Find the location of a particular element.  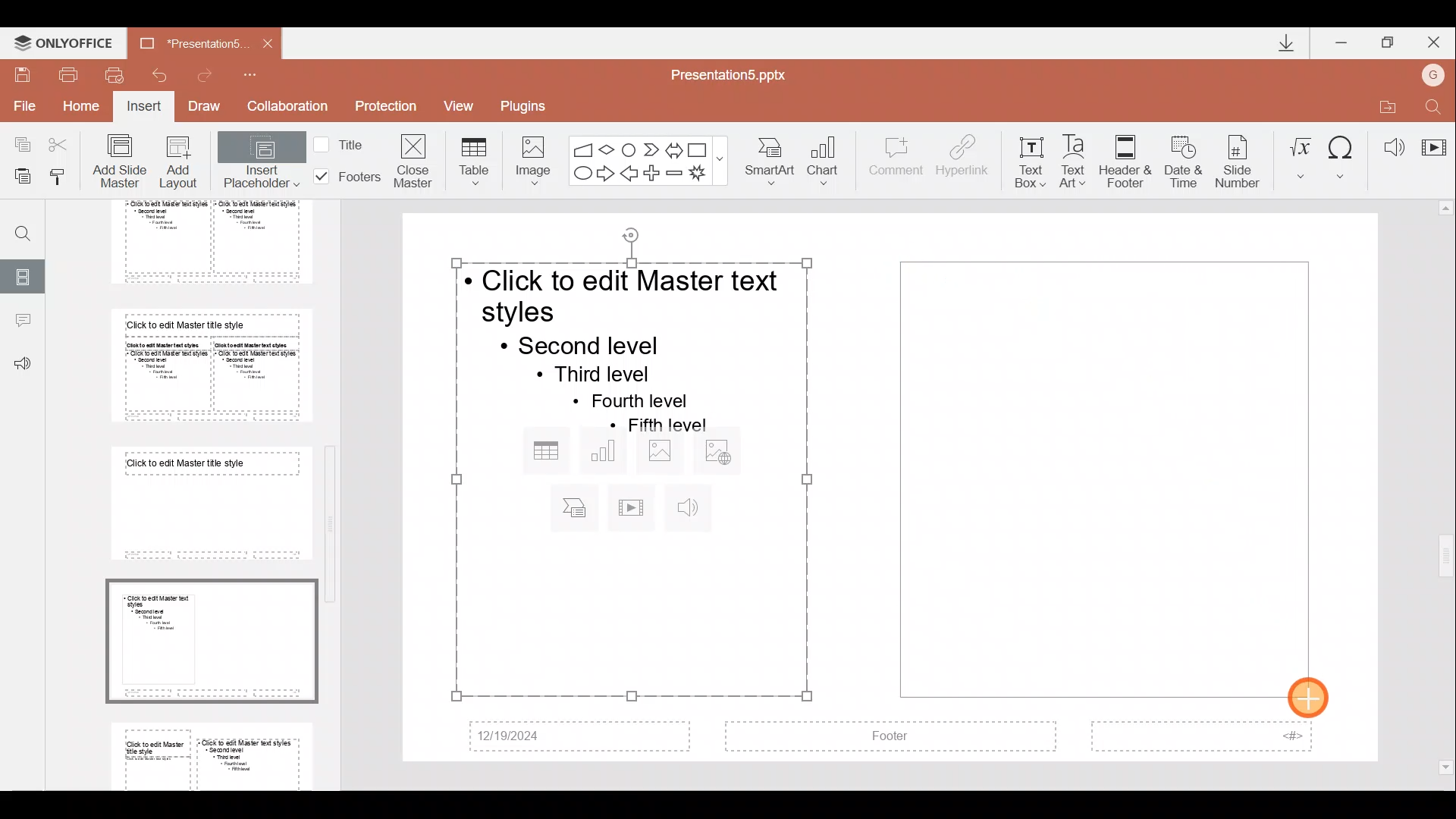

Slide number is located at coordinates (1241, 158).